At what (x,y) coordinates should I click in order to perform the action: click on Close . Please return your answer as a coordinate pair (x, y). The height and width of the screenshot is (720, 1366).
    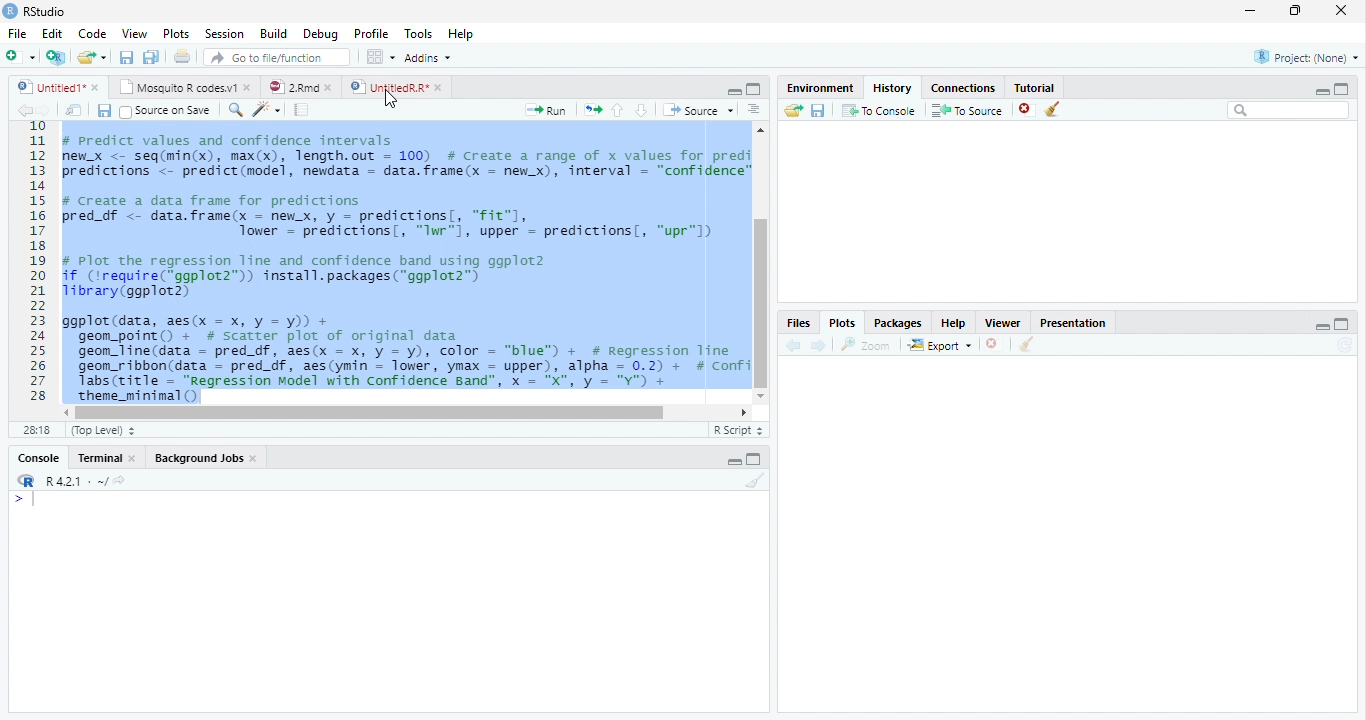
    Looking at the image, I should click on (1342, 12).